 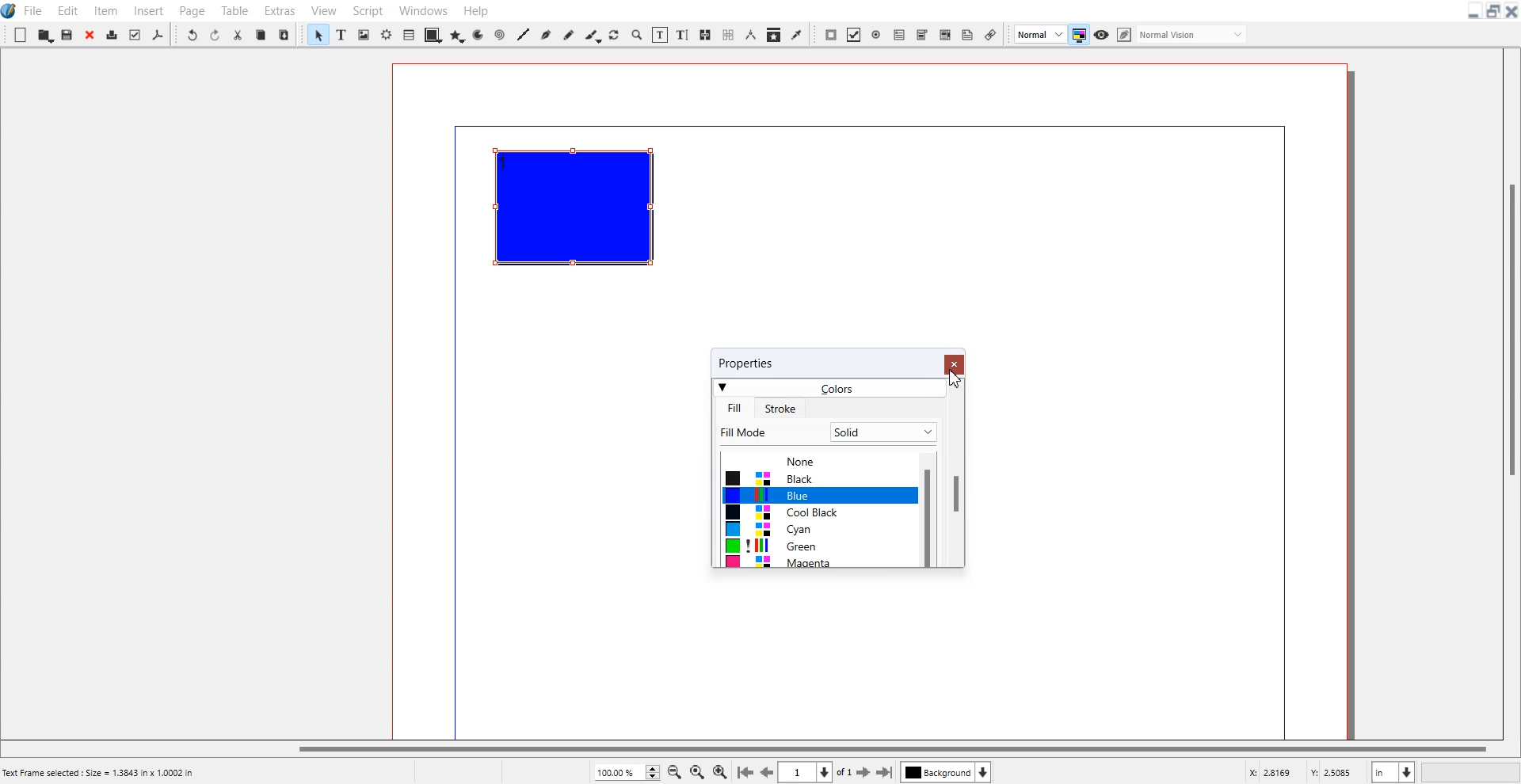 I want to click on Text Annotation, so click(x=967, y=35).